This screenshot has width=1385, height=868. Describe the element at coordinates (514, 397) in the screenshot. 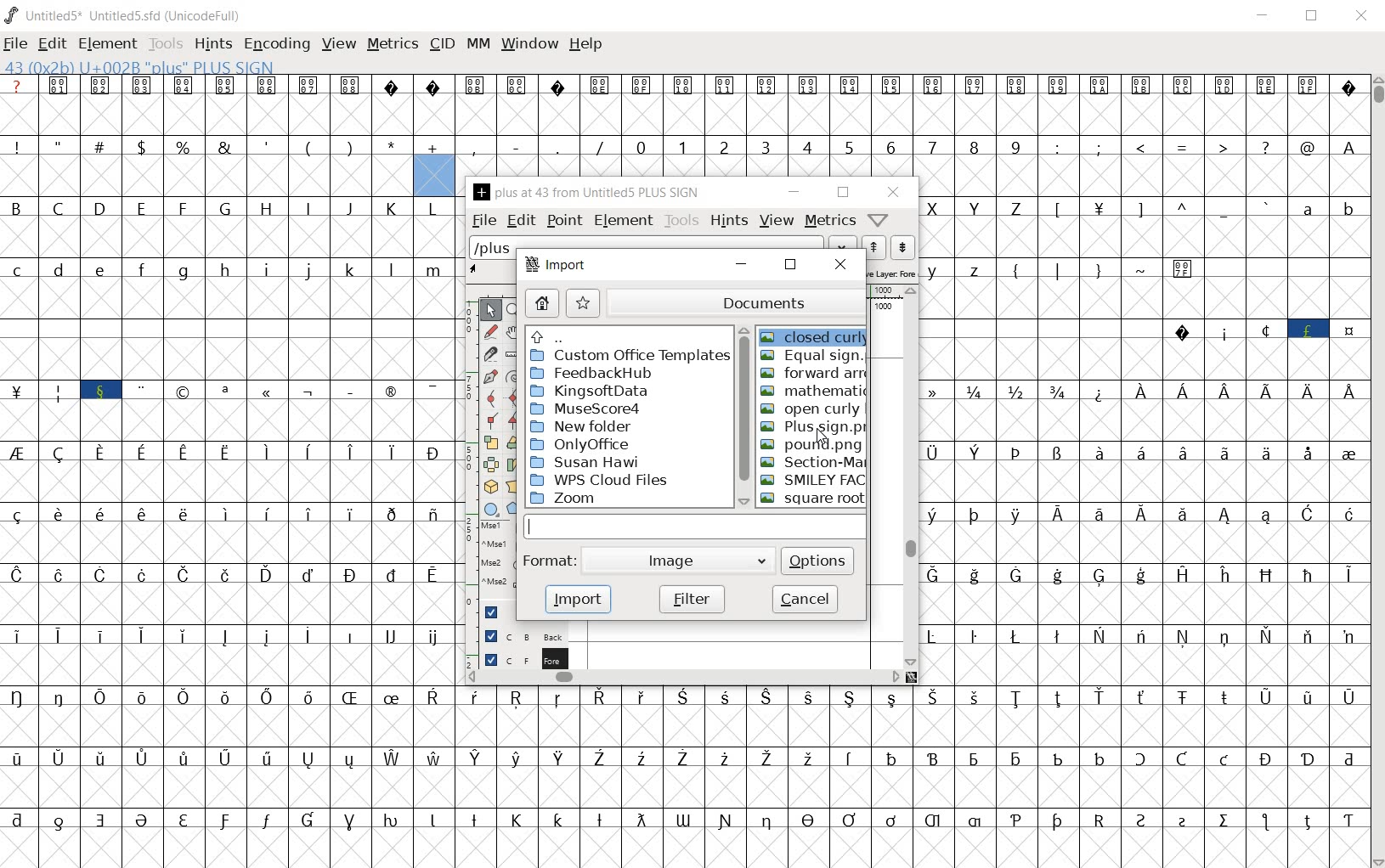

I see `add a curve point always either horizontal or vertical` at that location.